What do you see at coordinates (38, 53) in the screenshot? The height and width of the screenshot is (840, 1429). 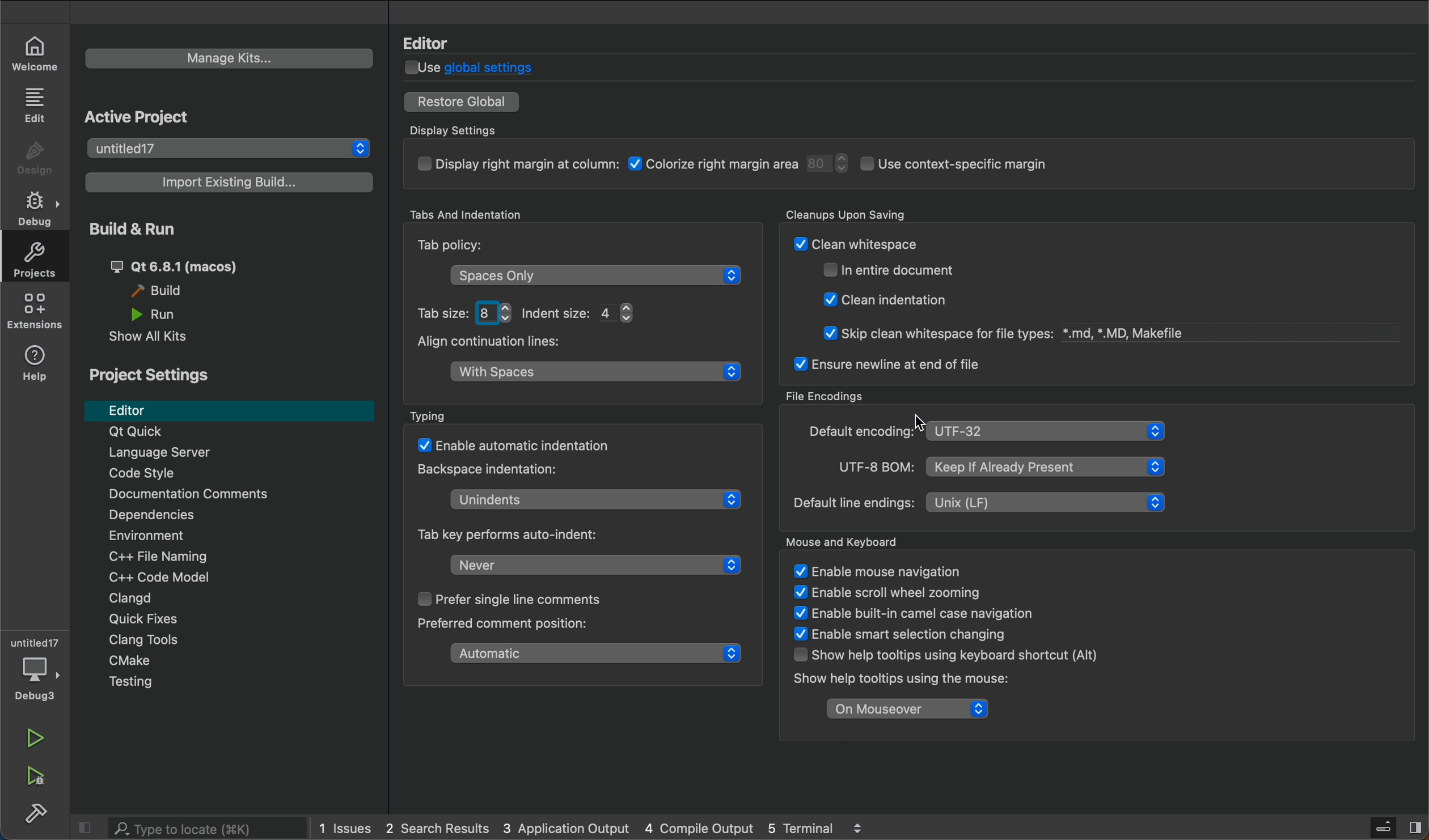 I see `welcome` at bounding box center [38, 53].